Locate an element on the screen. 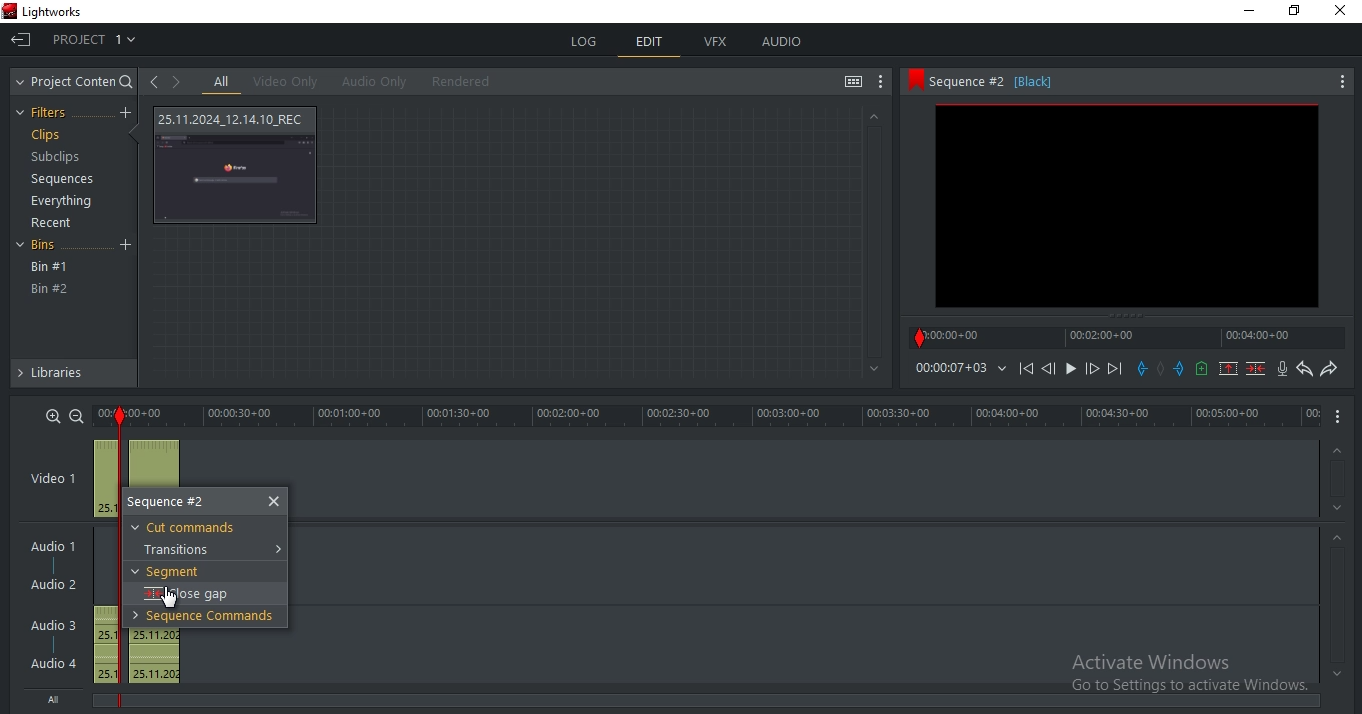 This screenshot has width=1362, height=714. zoom in is located at coordinates (54, 415).